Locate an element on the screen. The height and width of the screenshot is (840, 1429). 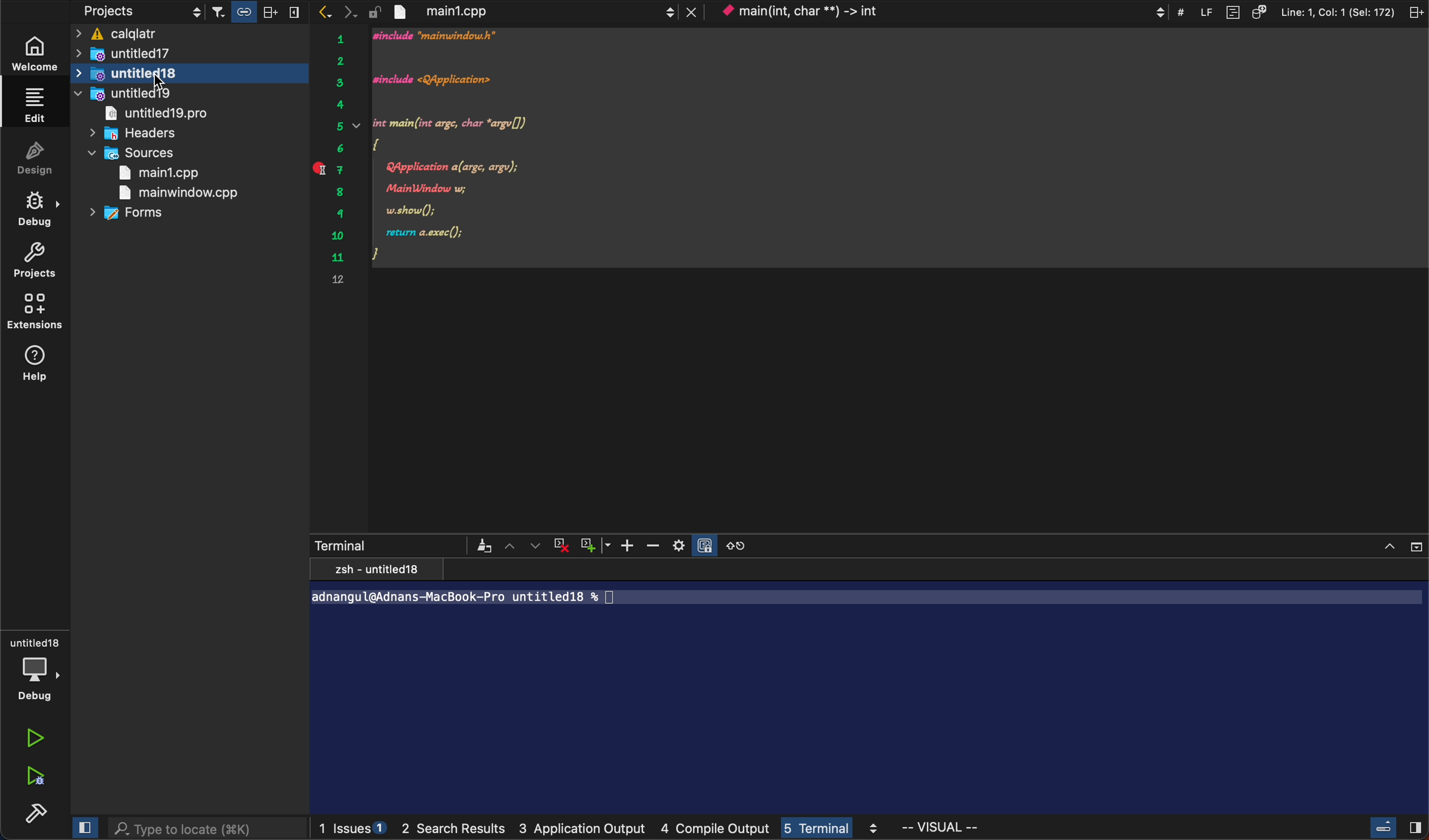
run is located at coordinates (34, 740).